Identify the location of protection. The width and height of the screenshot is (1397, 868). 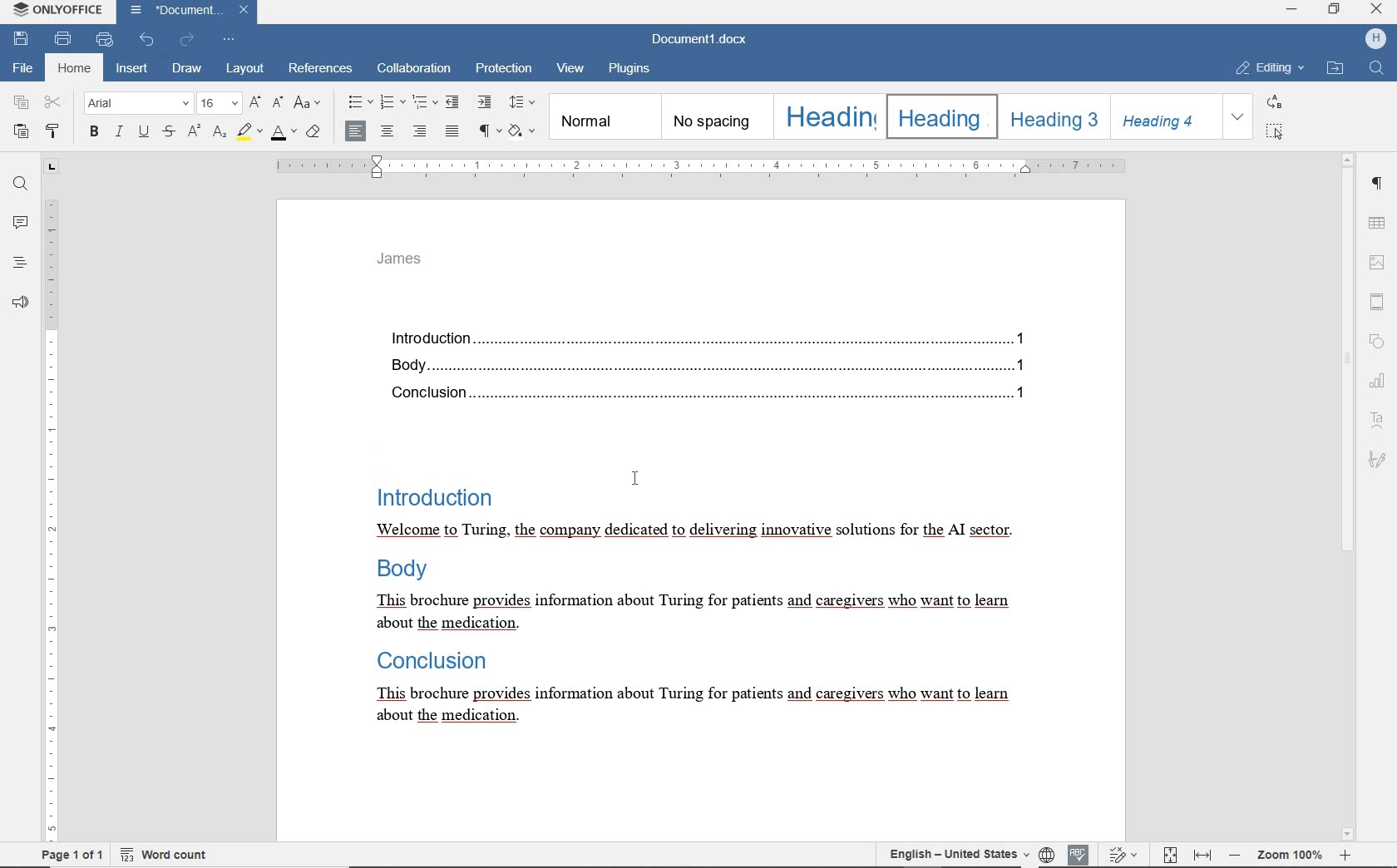
(504, 71).